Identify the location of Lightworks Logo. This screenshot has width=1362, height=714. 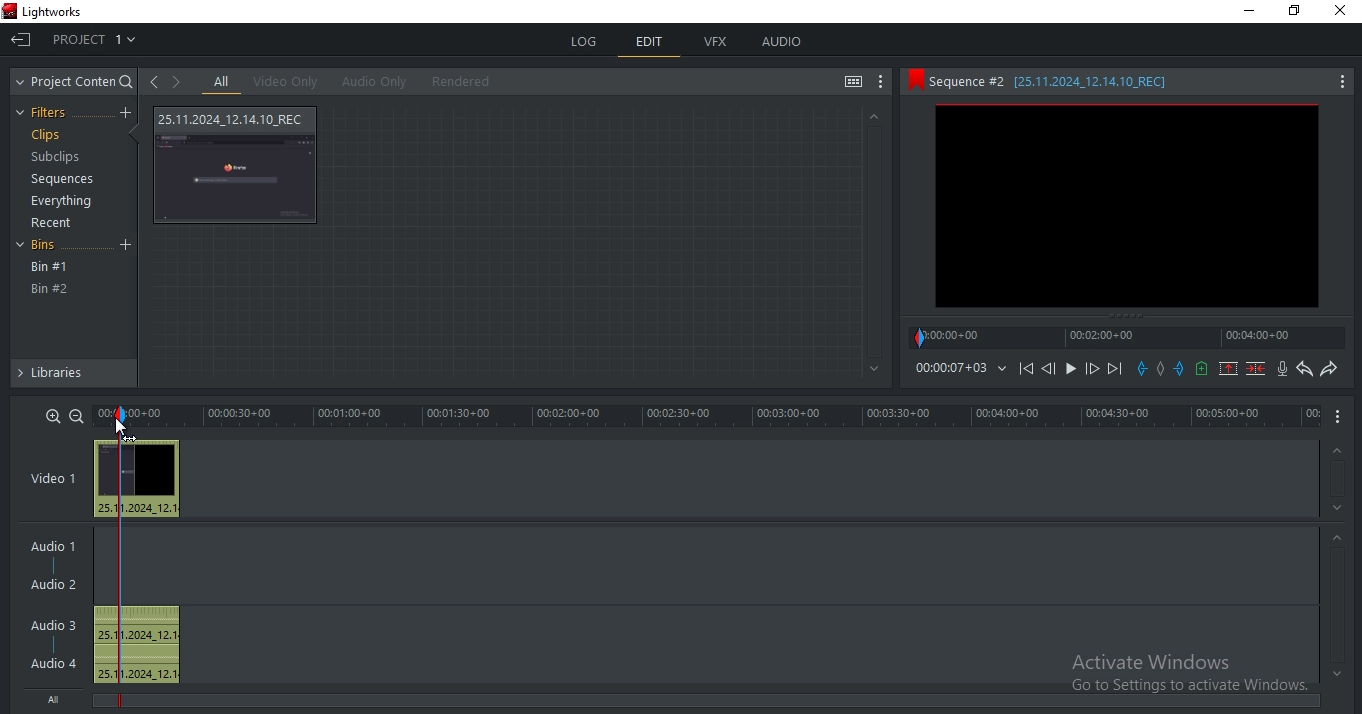
(10, 10).